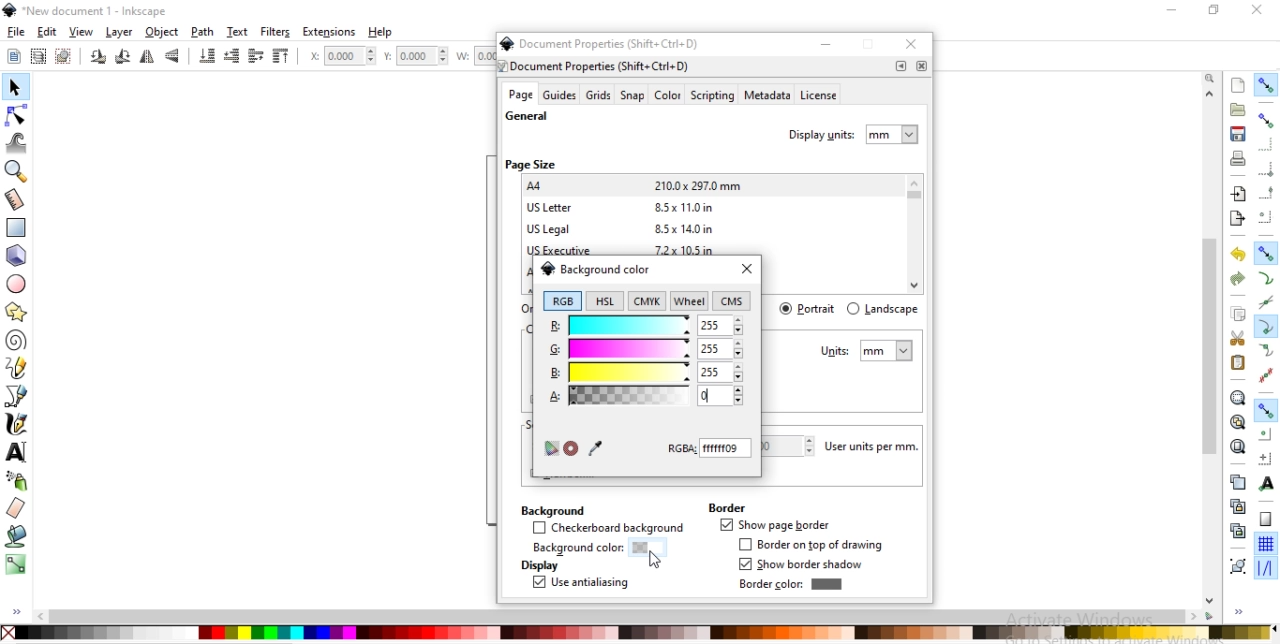 This screenshot has height=644, width=1280. What do you see at coordinates (1265, 545) in the screenshot?
I see `snap to grid` at bounding box center [1265, 545].